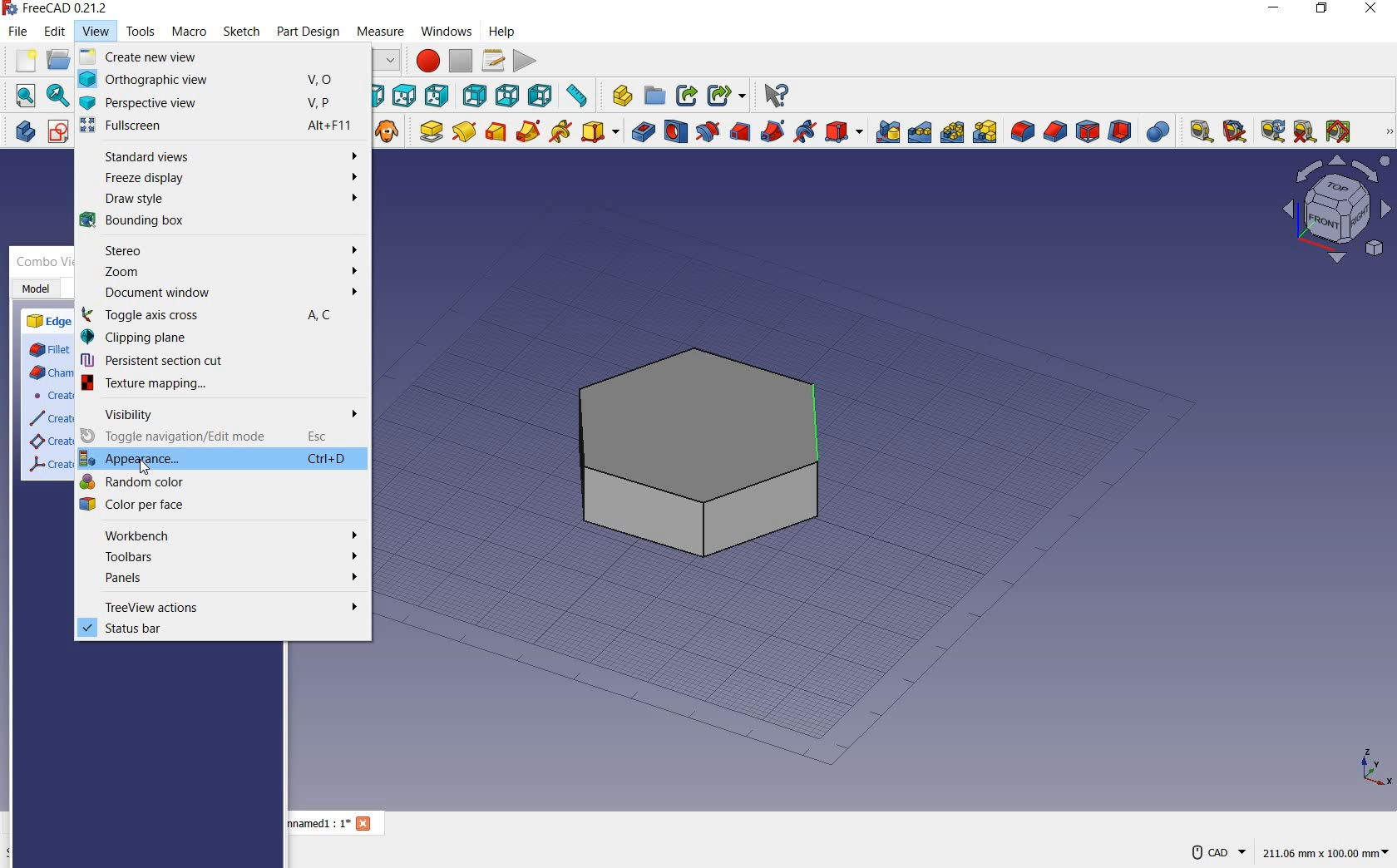  What do you see at coordinates (22, 129) in the screenshot?
I see `create body` at bounding box center [22, 129].